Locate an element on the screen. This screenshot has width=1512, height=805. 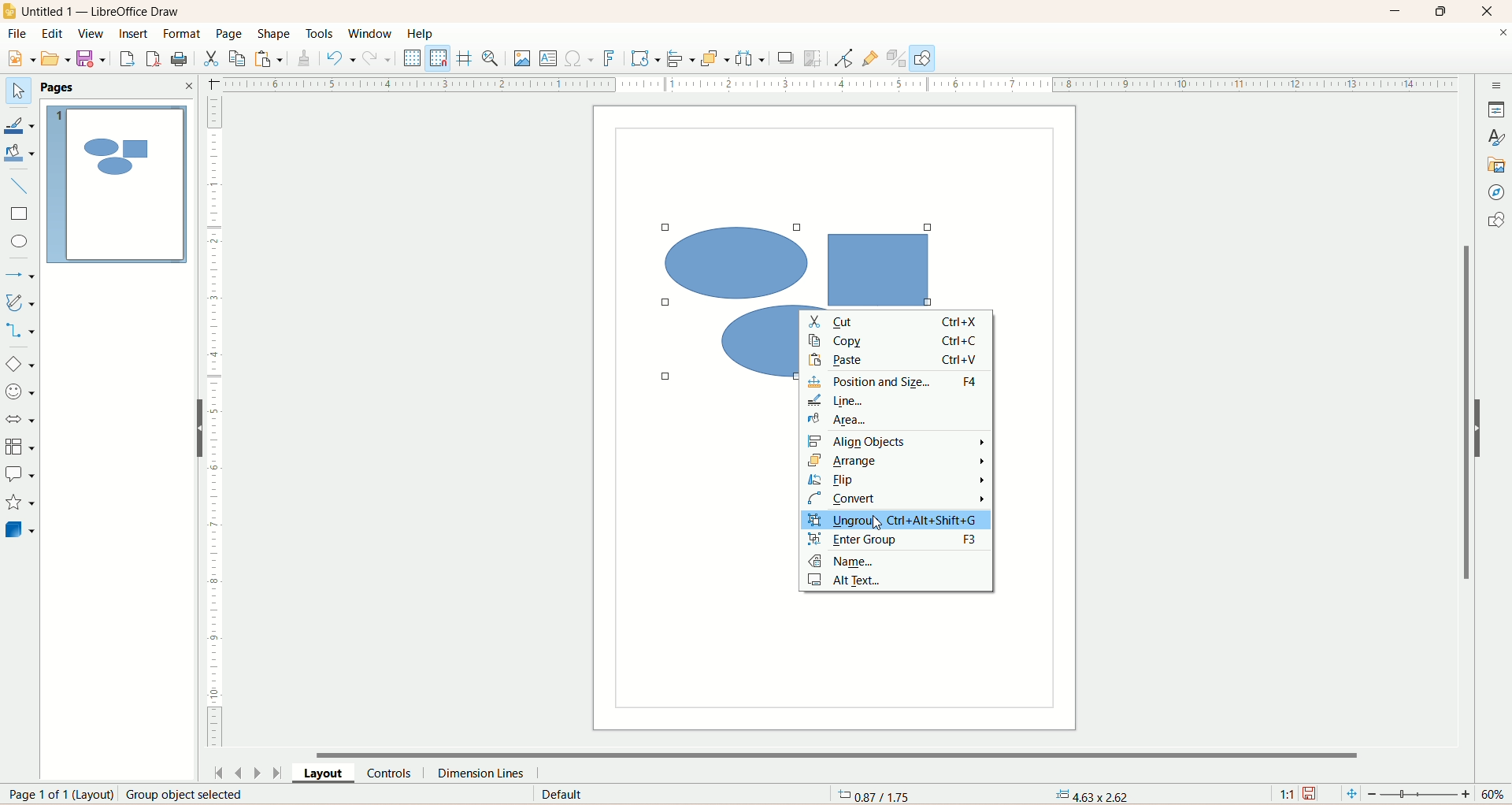
shapes is located at coordinates (1495, 221).